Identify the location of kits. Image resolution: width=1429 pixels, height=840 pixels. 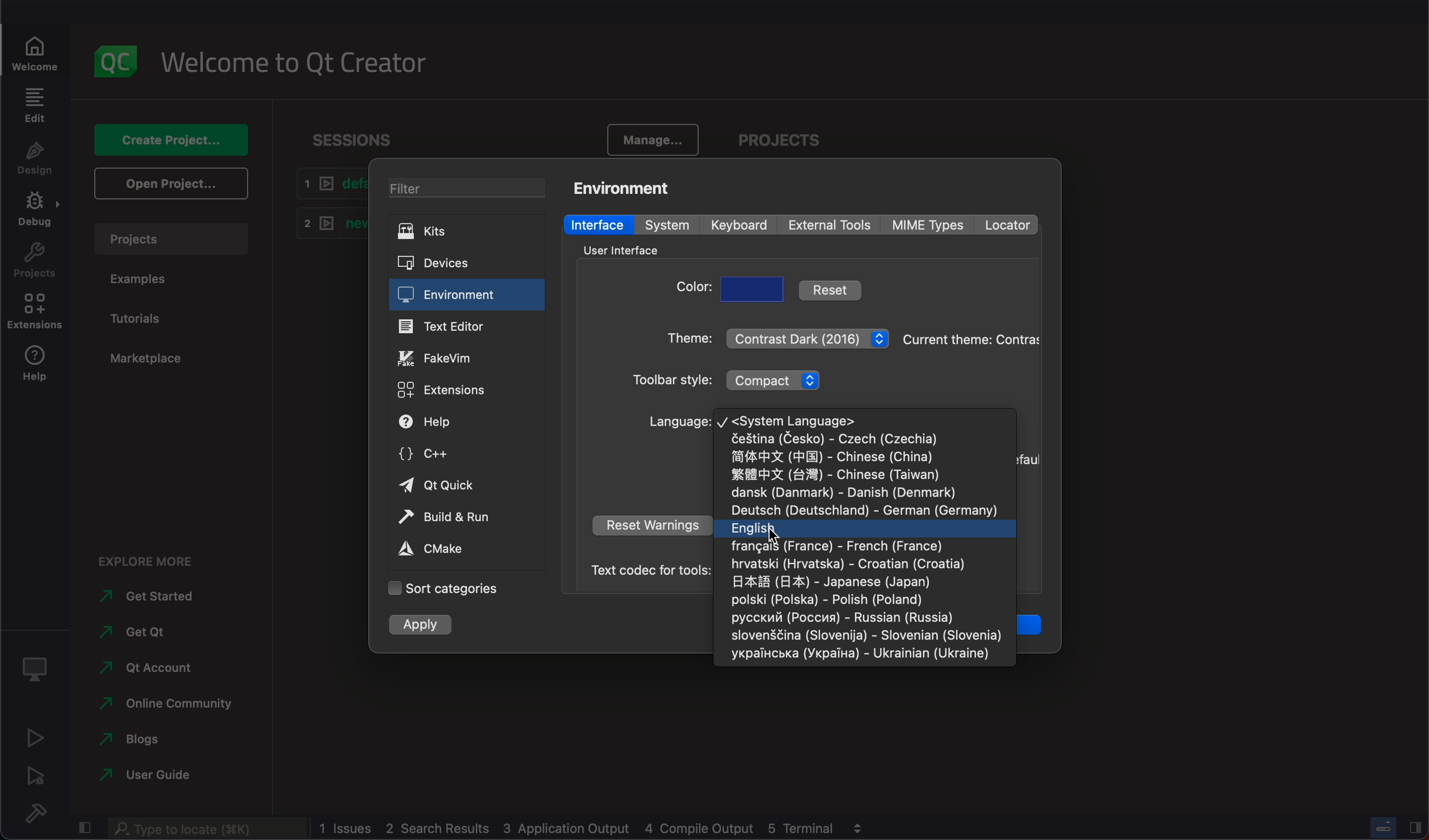
(462, 231).